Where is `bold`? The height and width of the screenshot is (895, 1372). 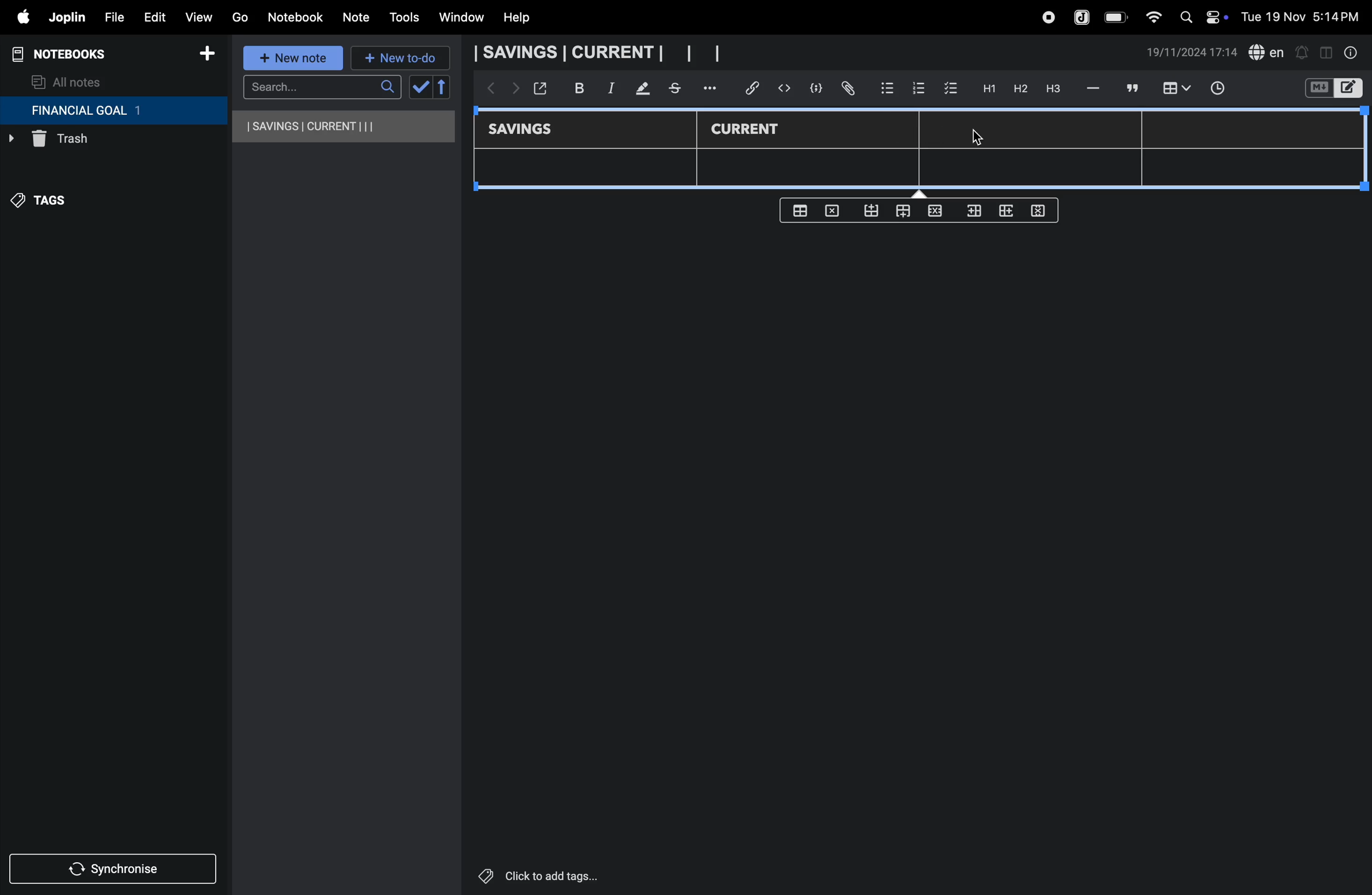
bold is located at coordinates (573, 88).